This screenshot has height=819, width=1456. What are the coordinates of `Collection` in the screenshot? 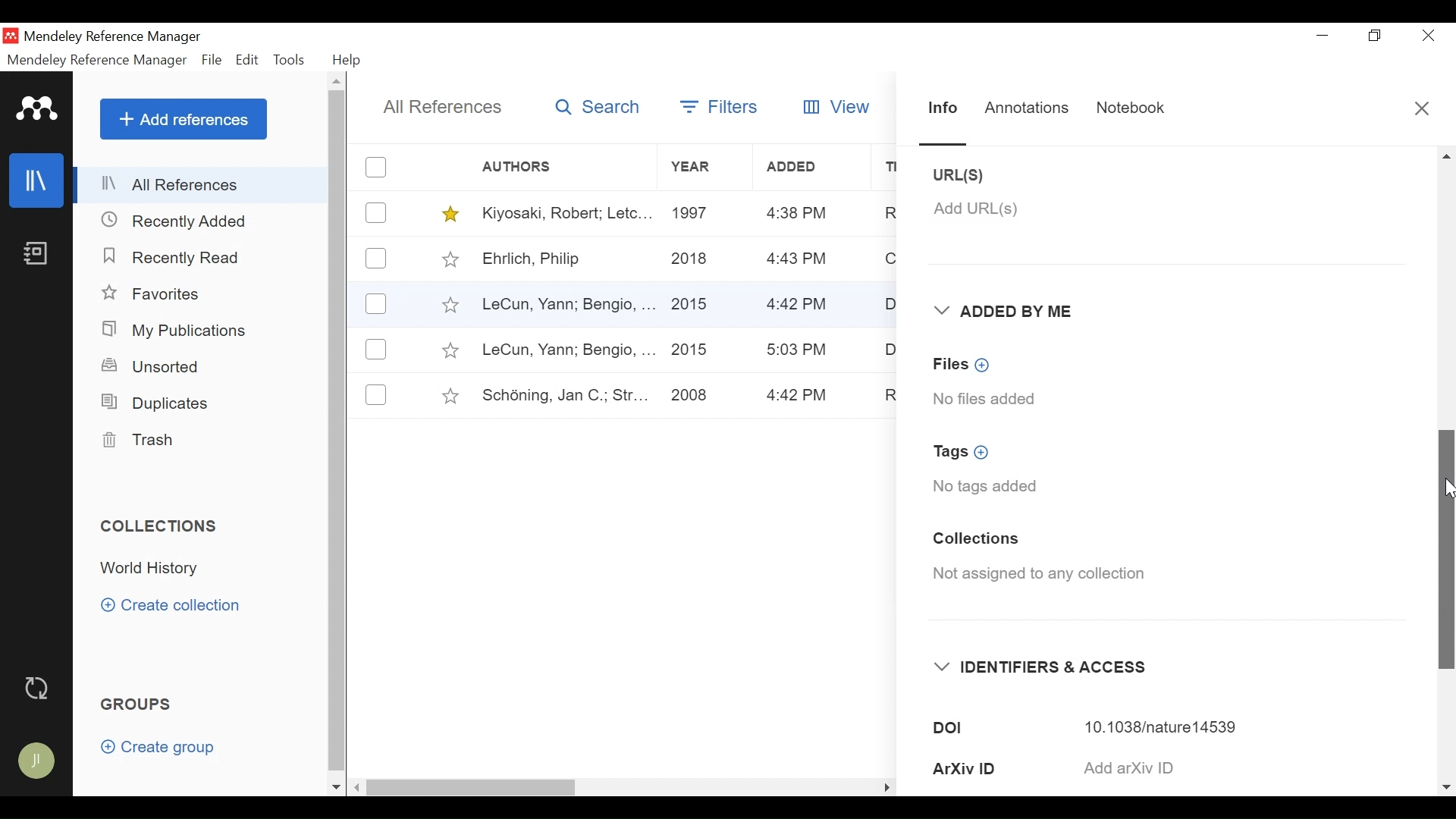 It's located at (154, 569).